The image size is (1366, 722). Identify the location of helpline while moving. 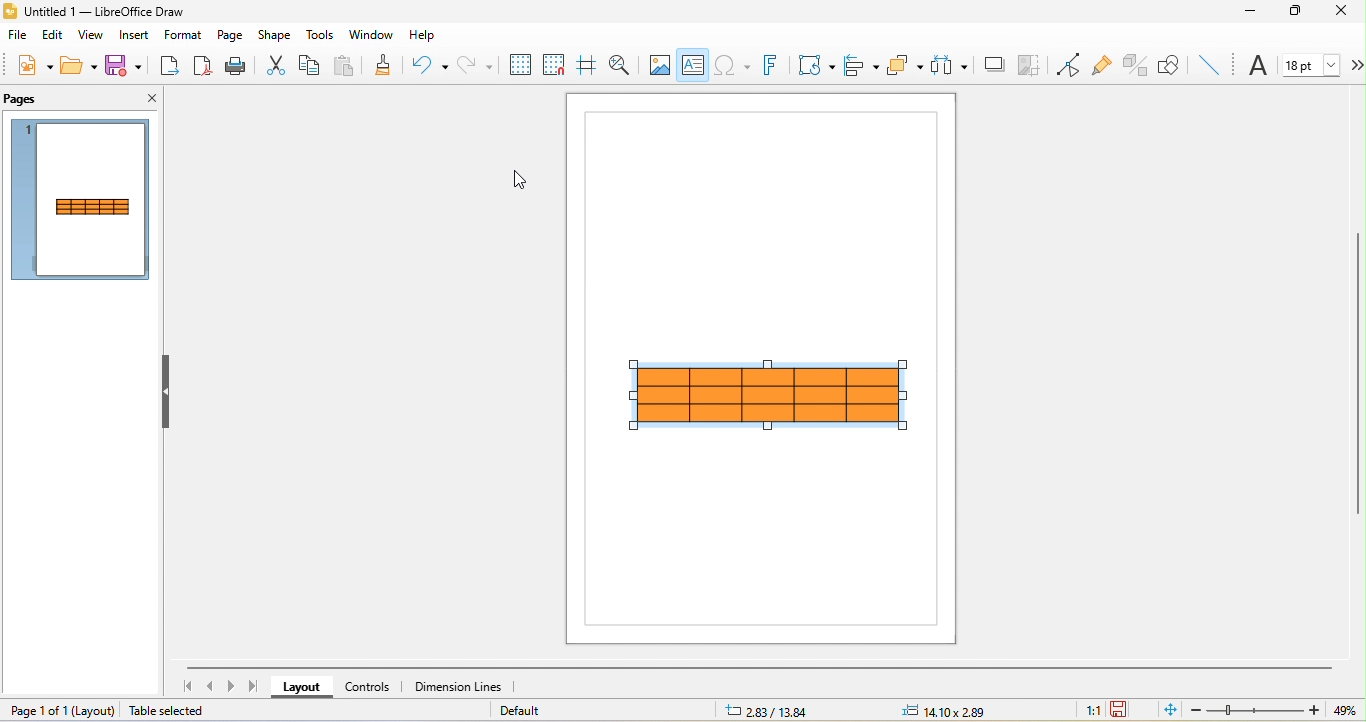
(587, 65).